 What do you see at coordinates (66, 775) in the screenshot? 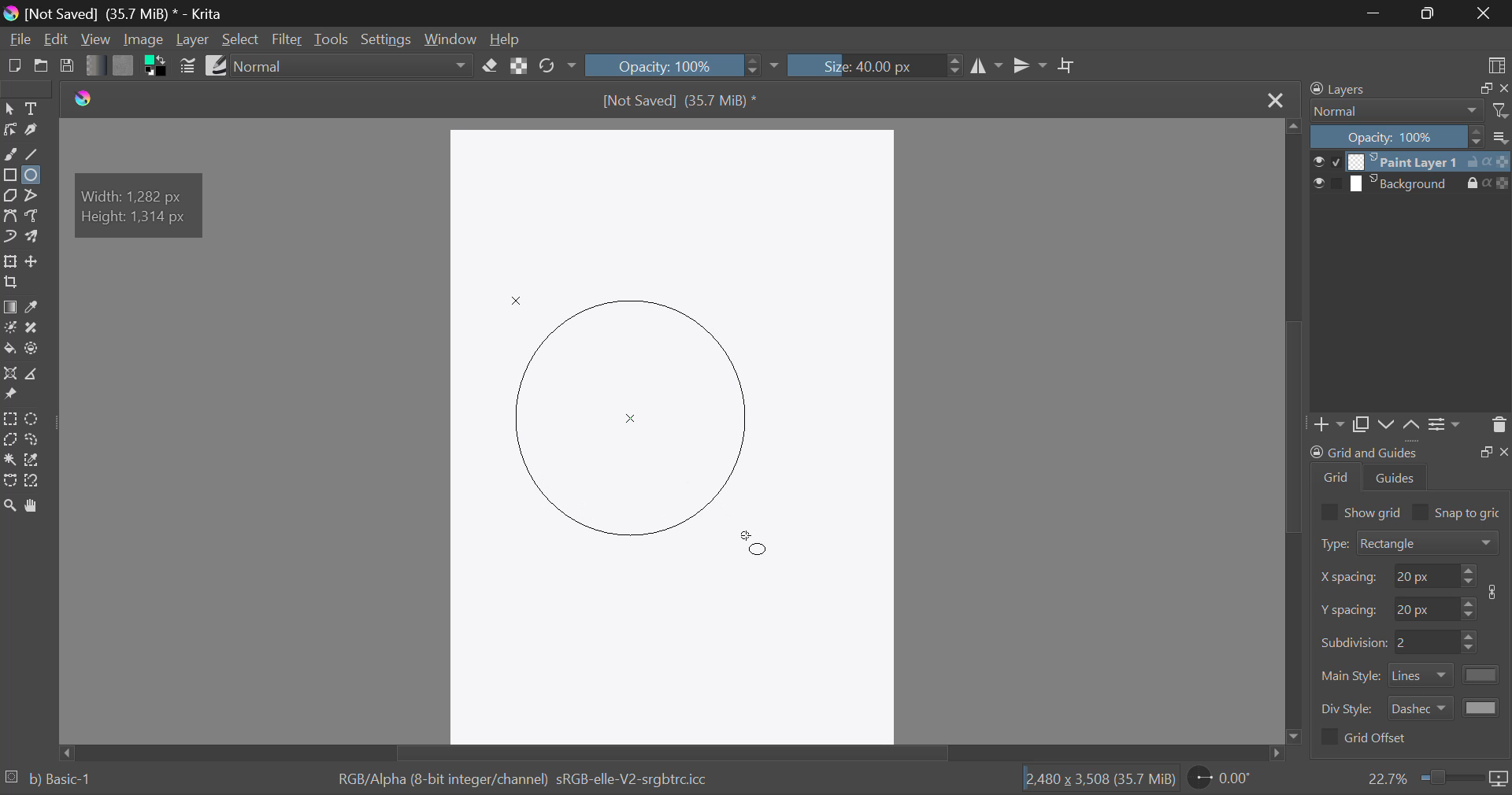
I see `b) Basic-1` at bounding box center [66, 775].